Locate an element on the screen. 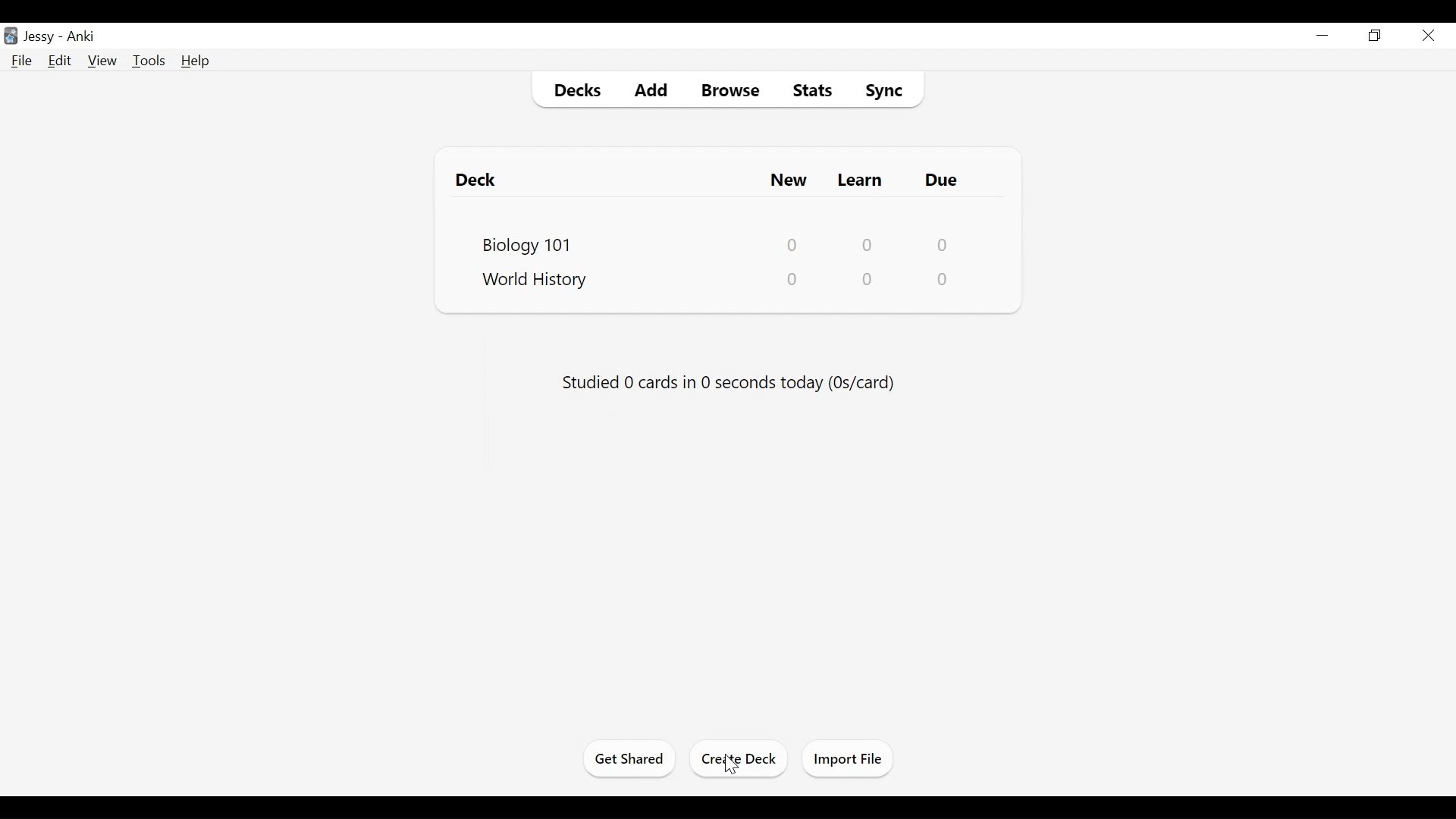  Due Card Count is located at coordinates (943, 244).